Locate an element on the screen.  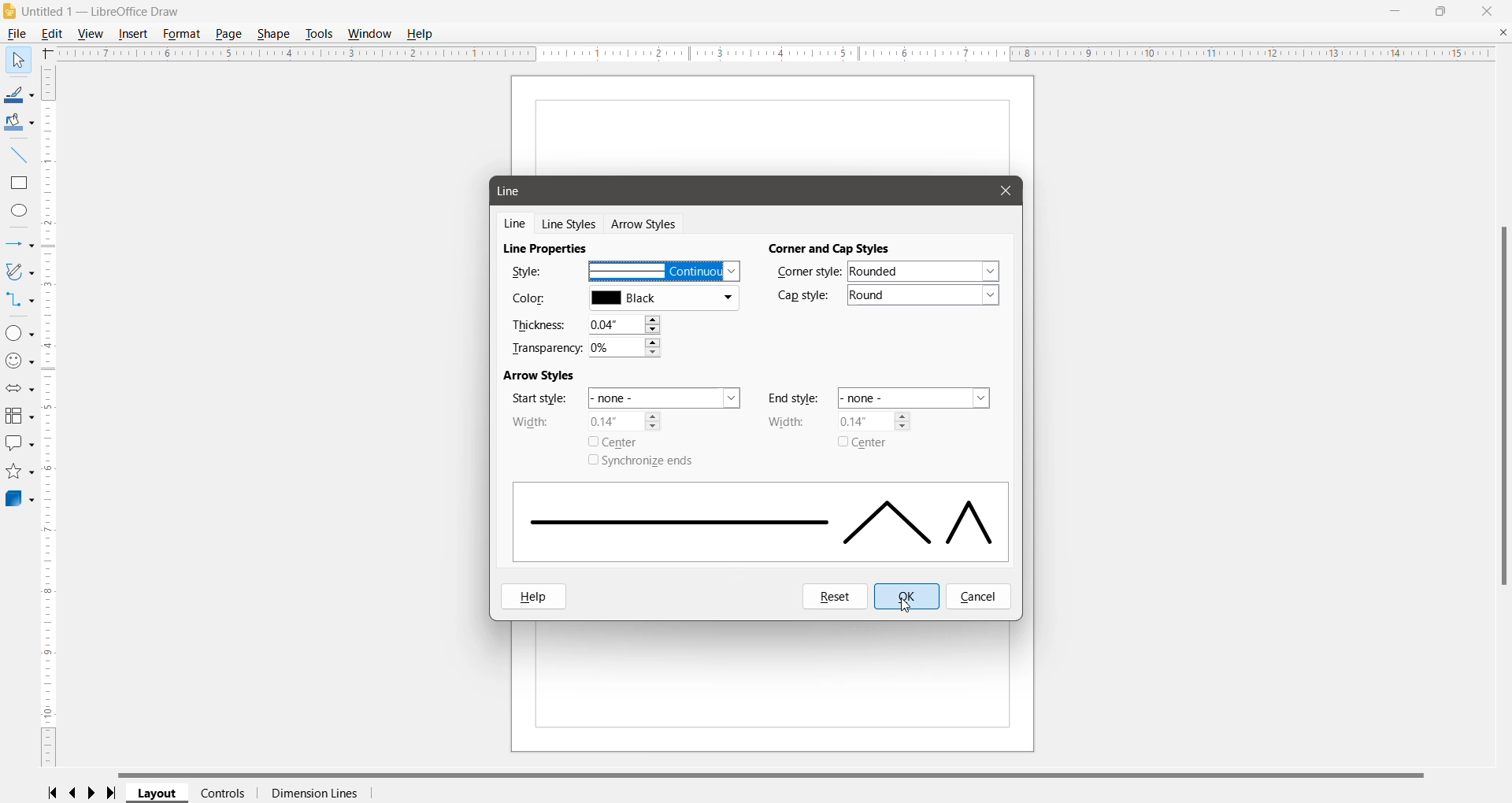
Flowchart is located at coordinates (19, 417).